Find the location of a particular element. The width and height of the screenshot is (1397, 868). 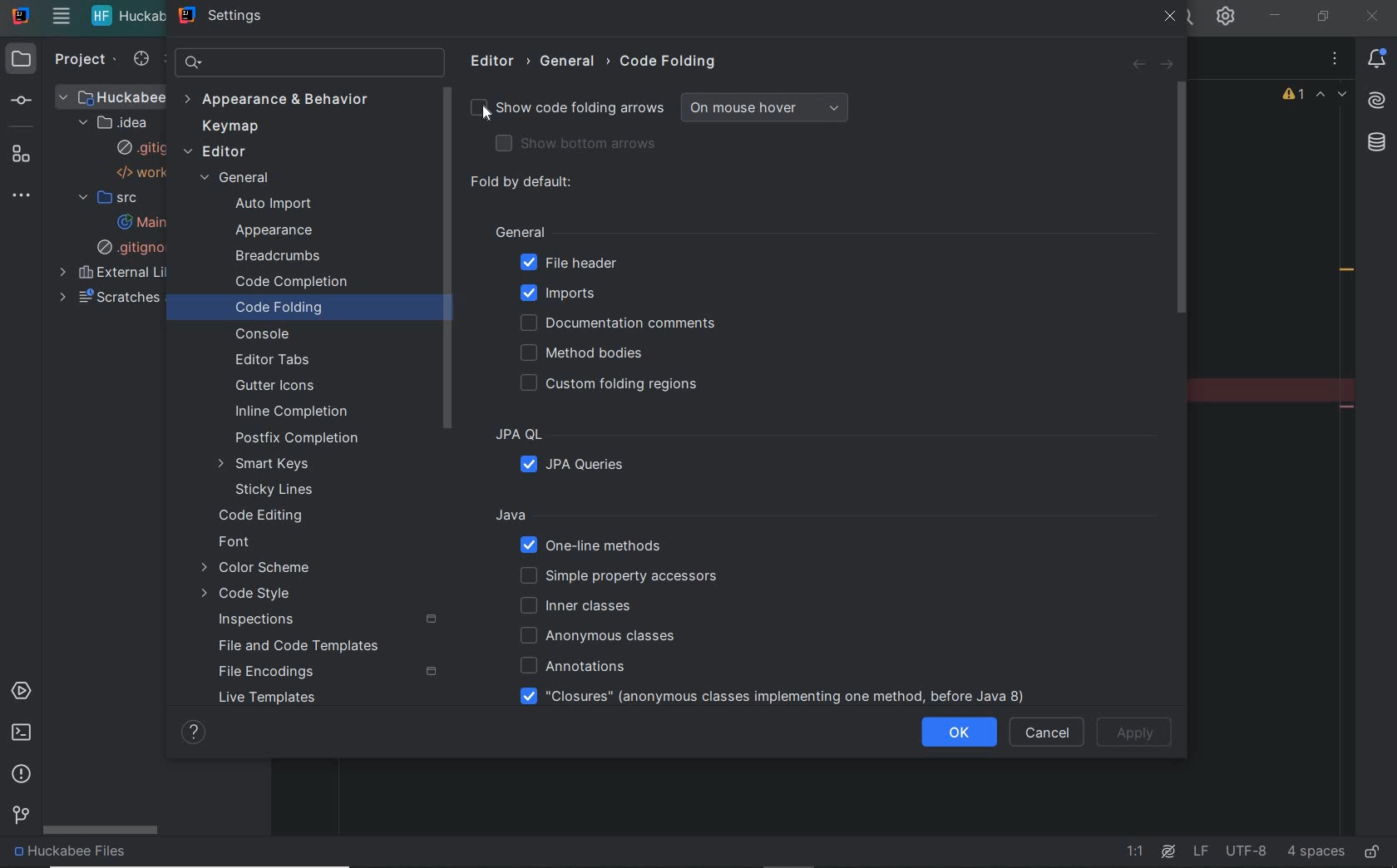

inner classes is located at coordinates (580, 605).